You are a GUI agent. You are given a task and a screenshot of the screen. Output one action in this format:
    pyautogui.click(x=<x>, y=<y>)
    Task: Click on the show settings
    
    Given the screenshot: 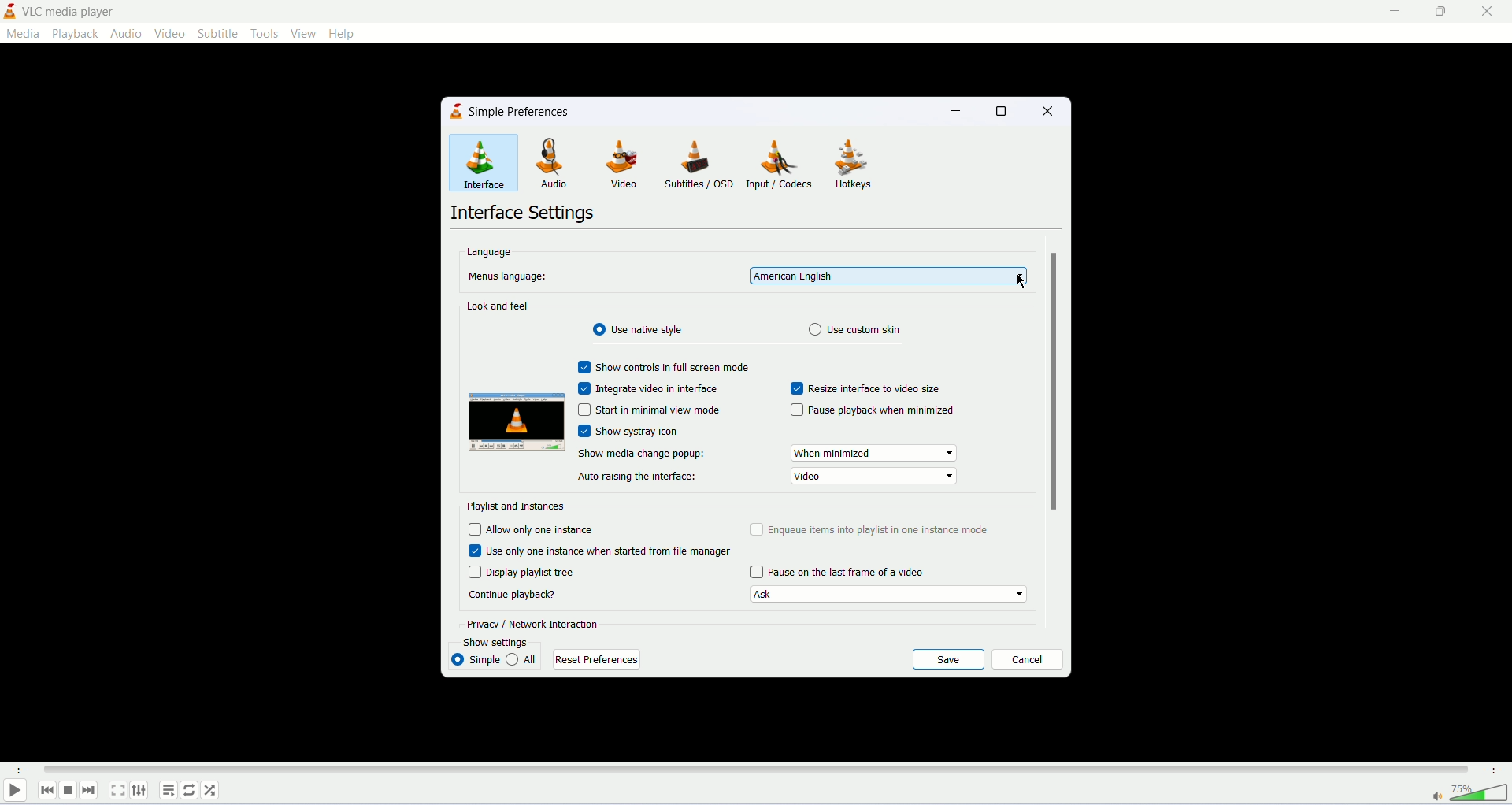 What is the action you would take?
    pyautogui.click(x=496, y=642)
    